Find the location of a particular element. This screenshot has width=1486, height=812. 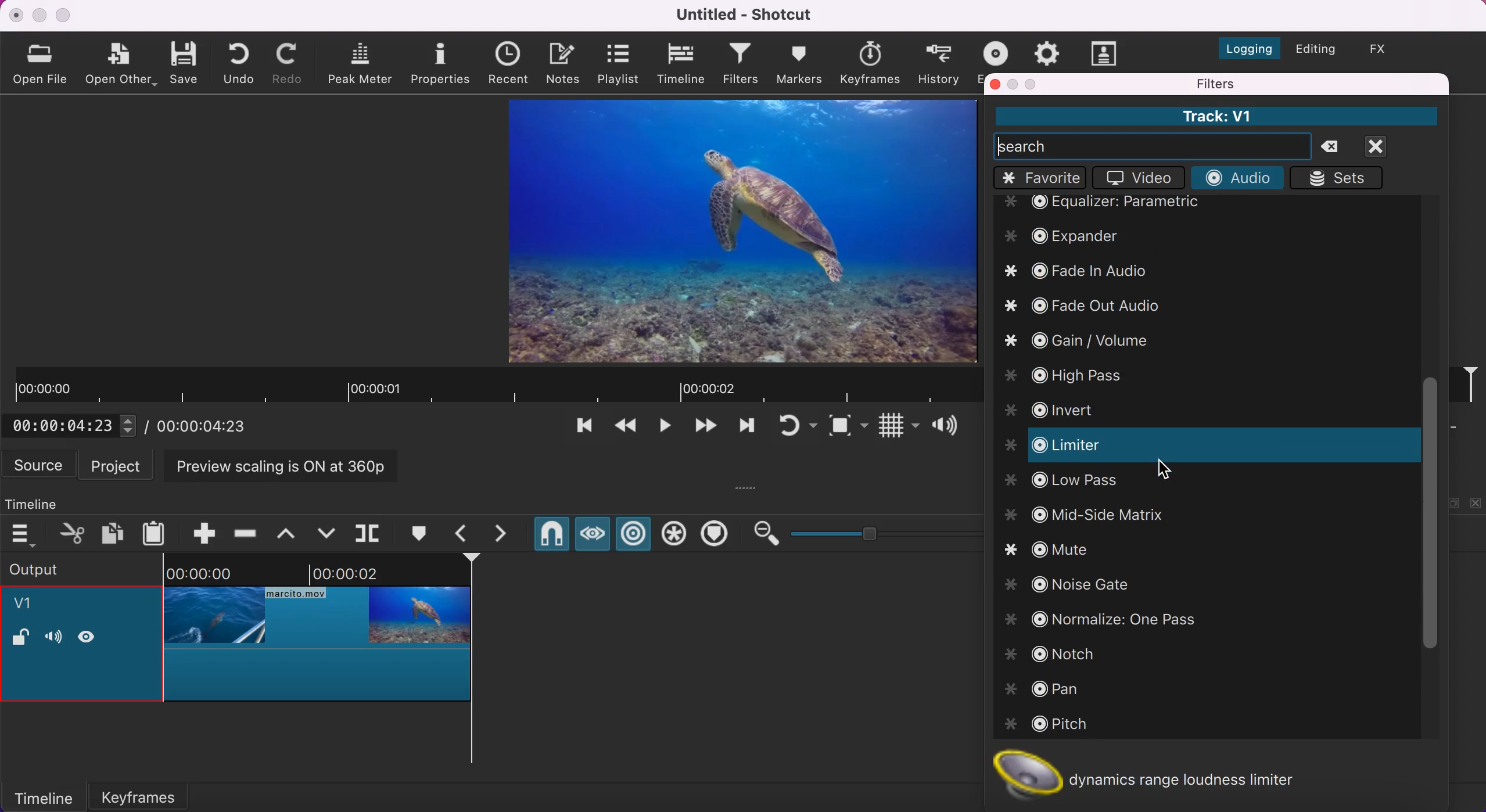

ripple markers is located at coordinates (717, 535).